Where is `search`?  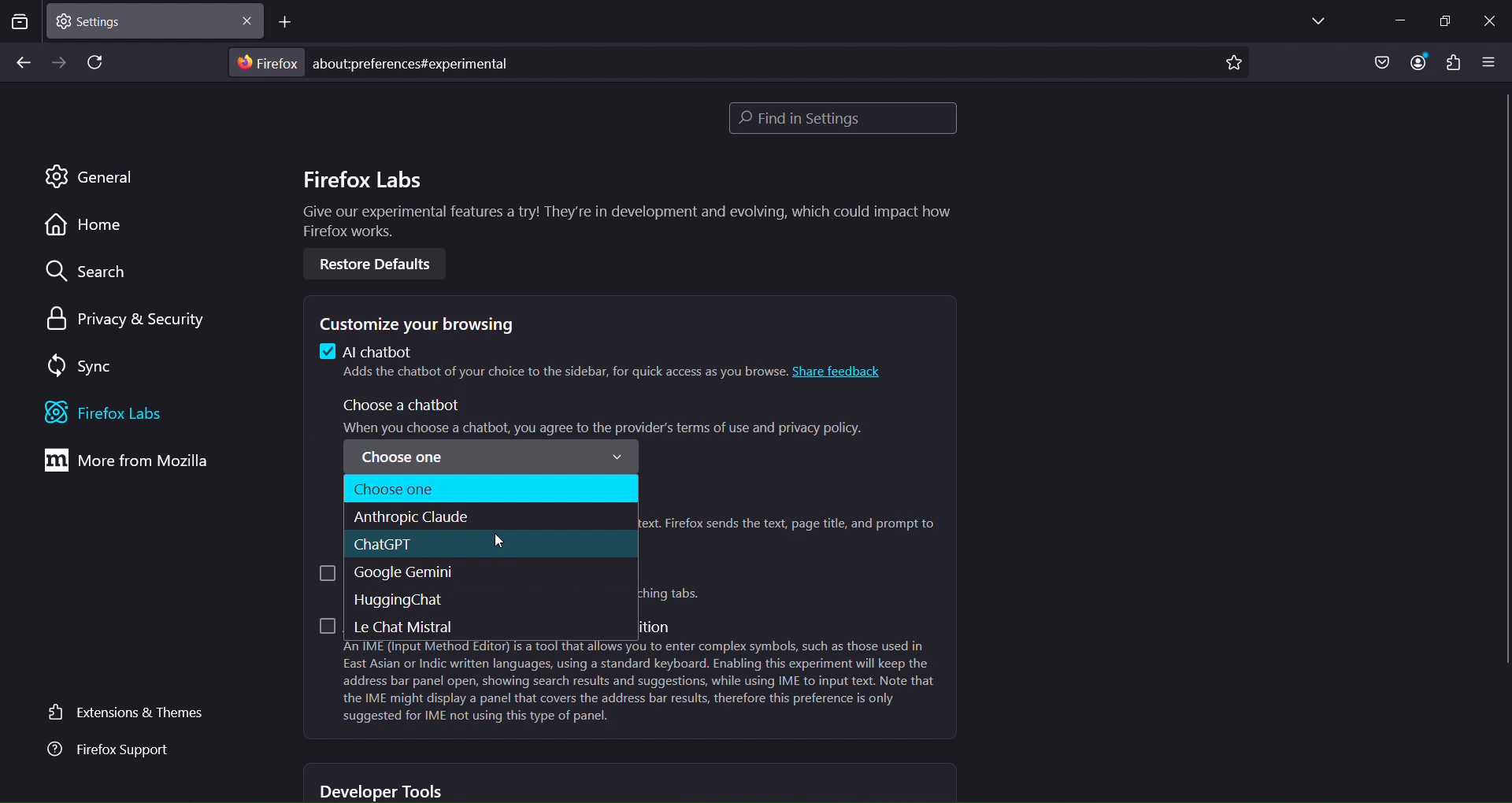 search is located at coordinates (86, 274).